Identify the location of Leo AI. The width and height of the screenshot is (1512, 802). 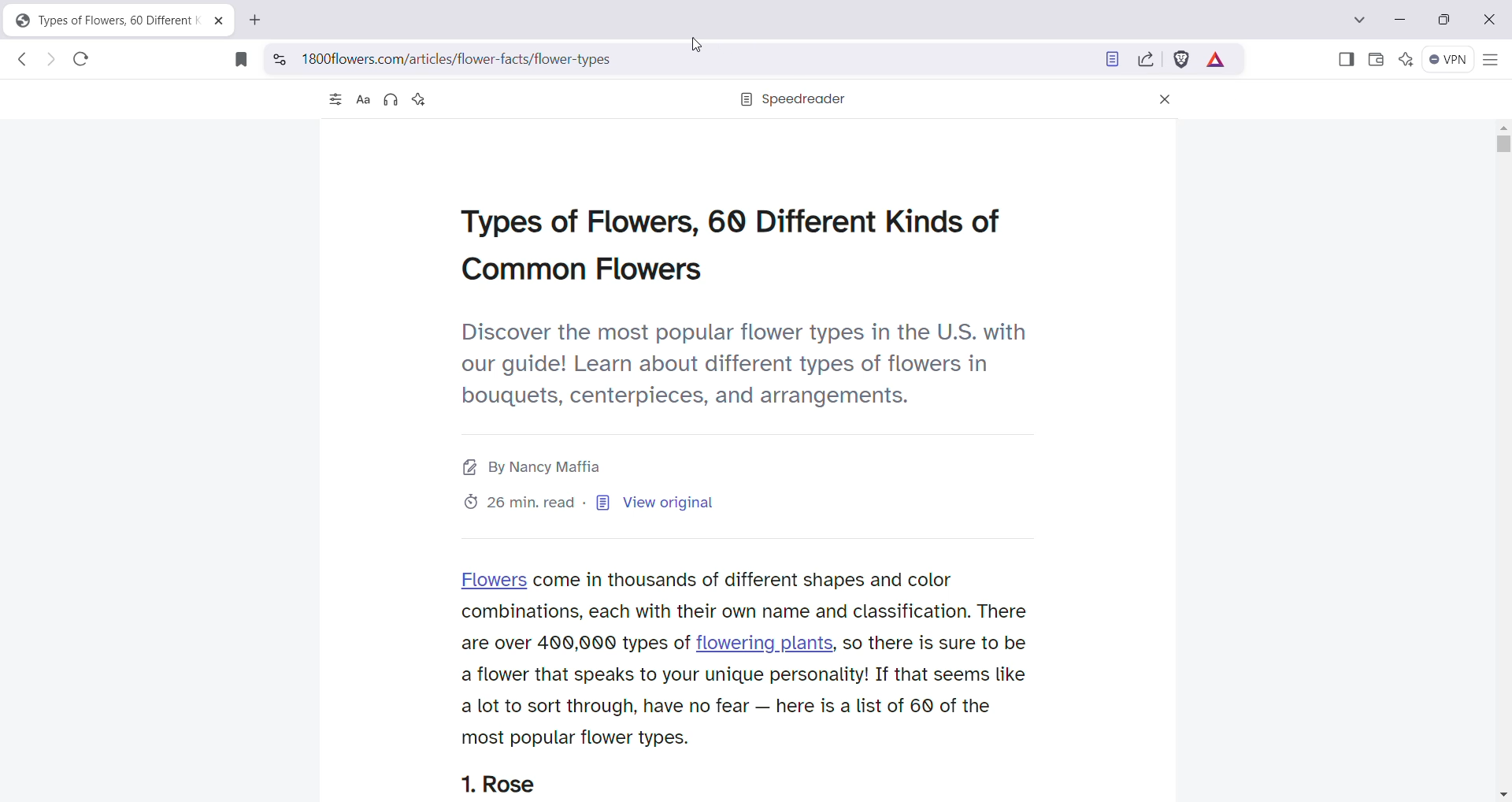
(1404, 60).